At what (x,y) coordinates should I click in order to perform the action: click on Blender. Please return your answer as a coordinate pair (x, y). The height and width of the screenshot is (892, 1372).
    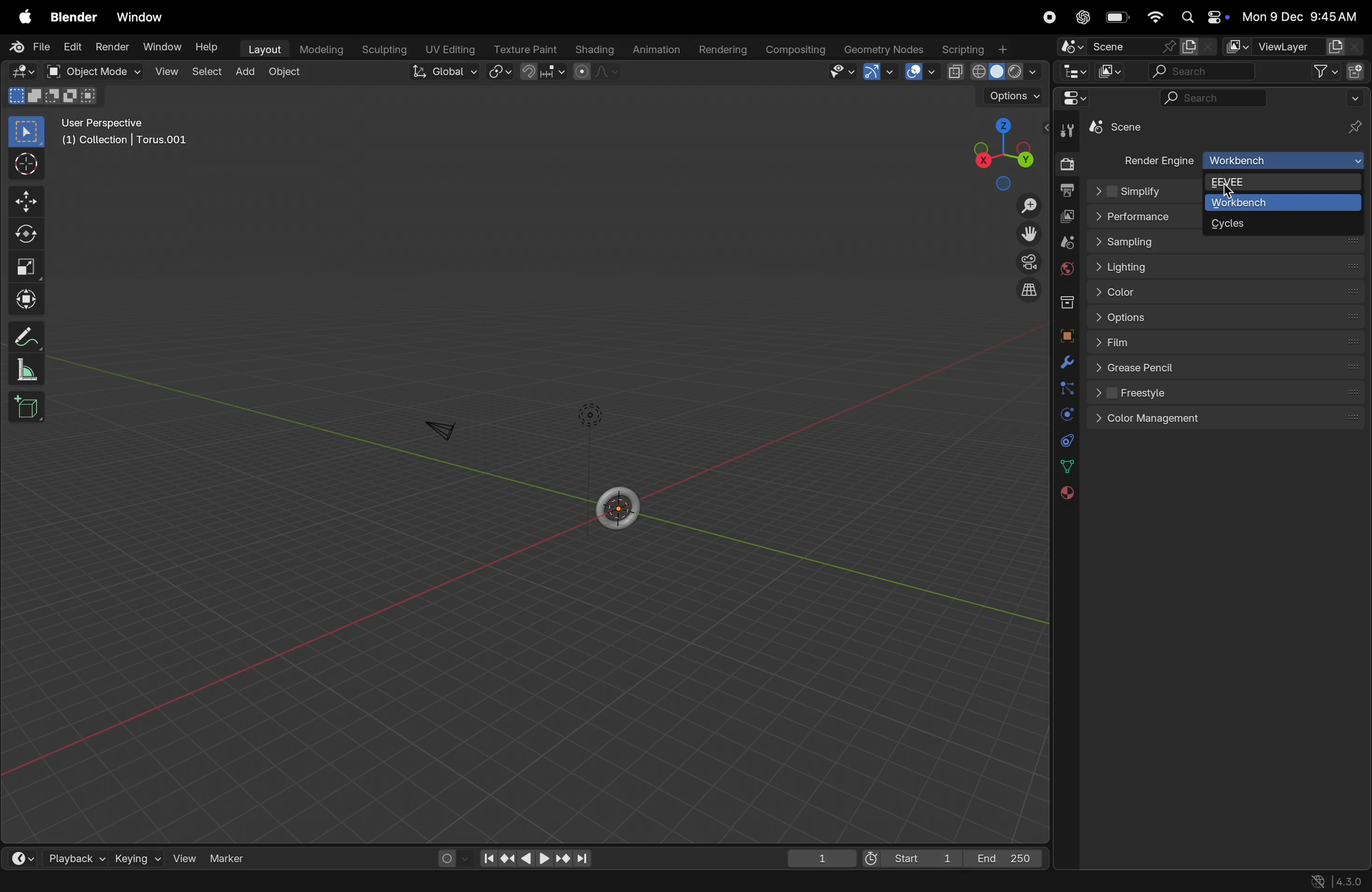
    Looking at the image, I should click on (73, 17).